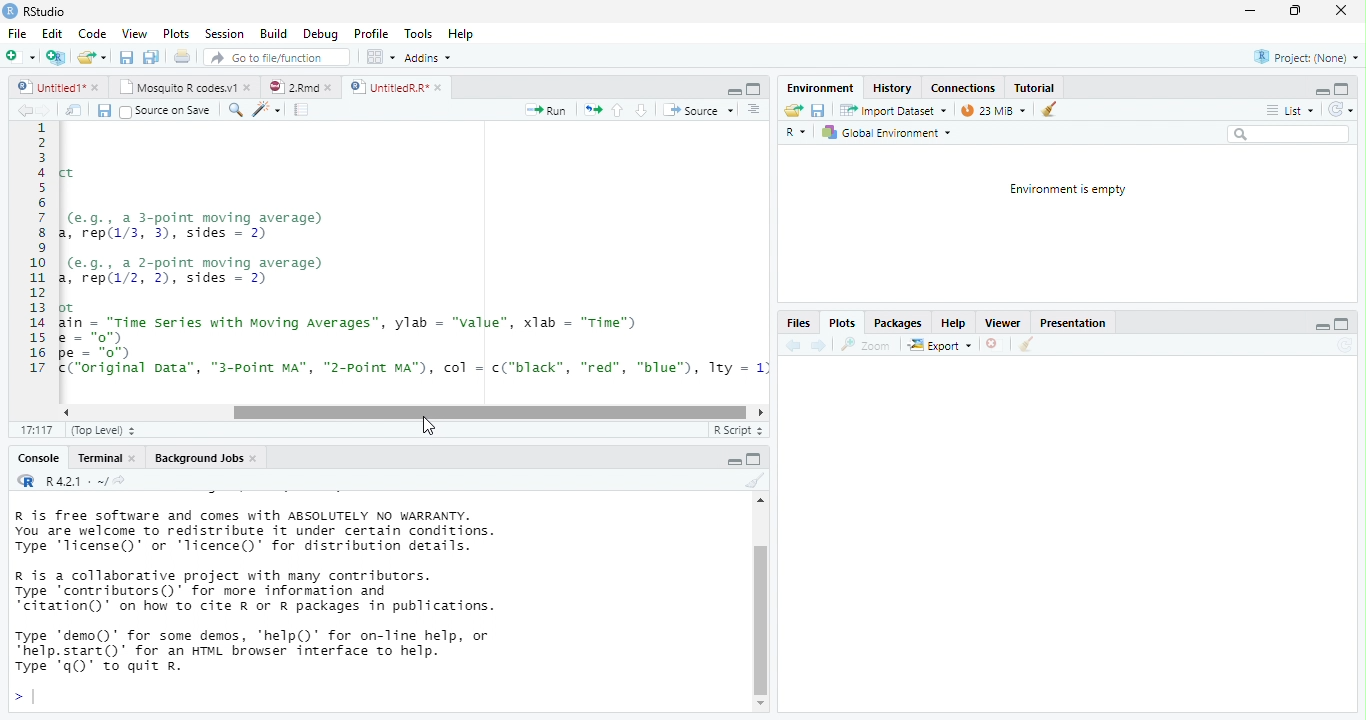 Image resolution: width=1366 pixels, height=720 pixels. What do you see at coordinates (55, 57) in the screenshot?
I see `Create a project` at bounding box center [55, 57].